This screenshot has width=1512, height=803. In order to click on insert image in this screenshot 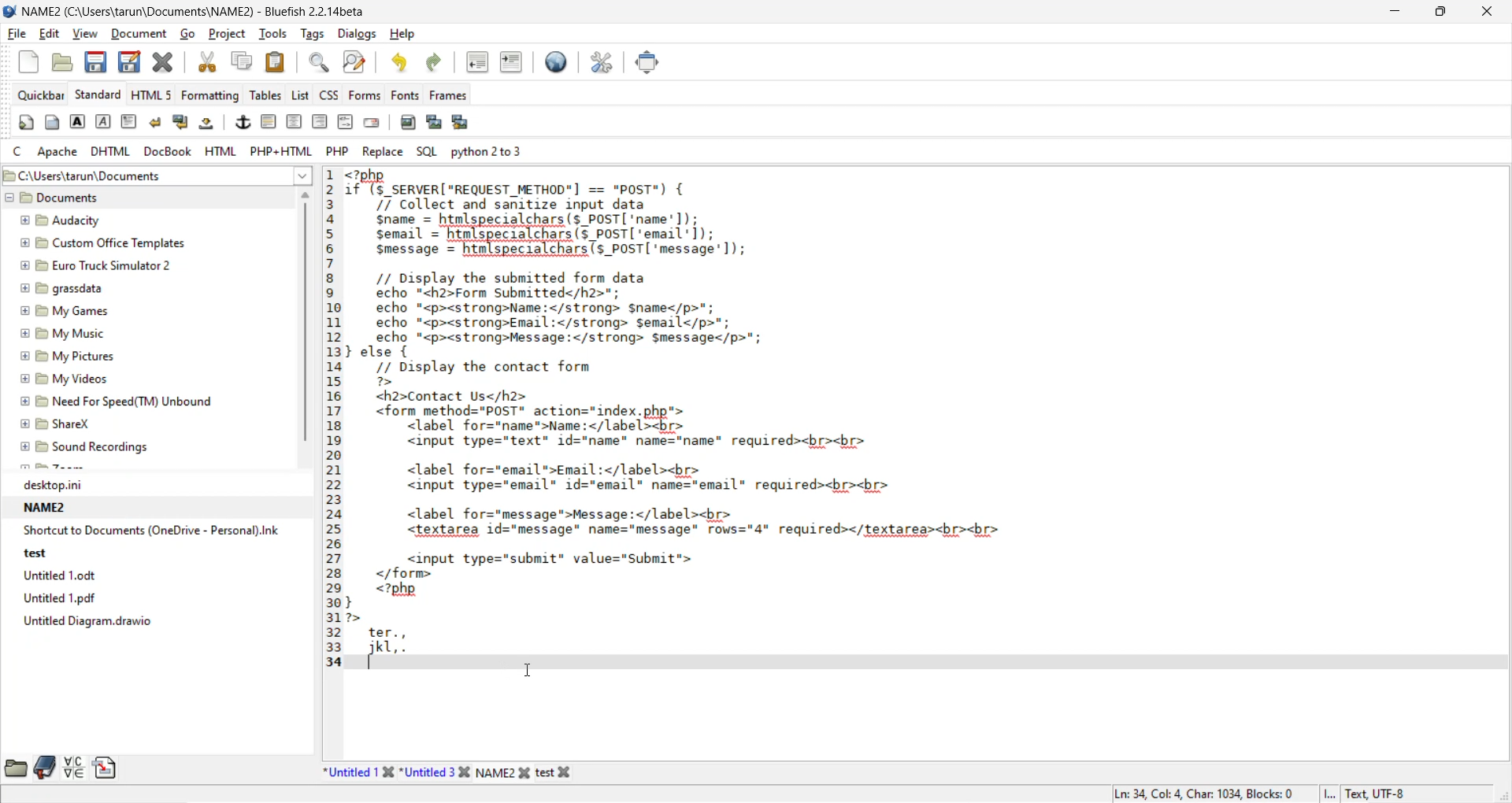, I will do `click(407, 124)`.